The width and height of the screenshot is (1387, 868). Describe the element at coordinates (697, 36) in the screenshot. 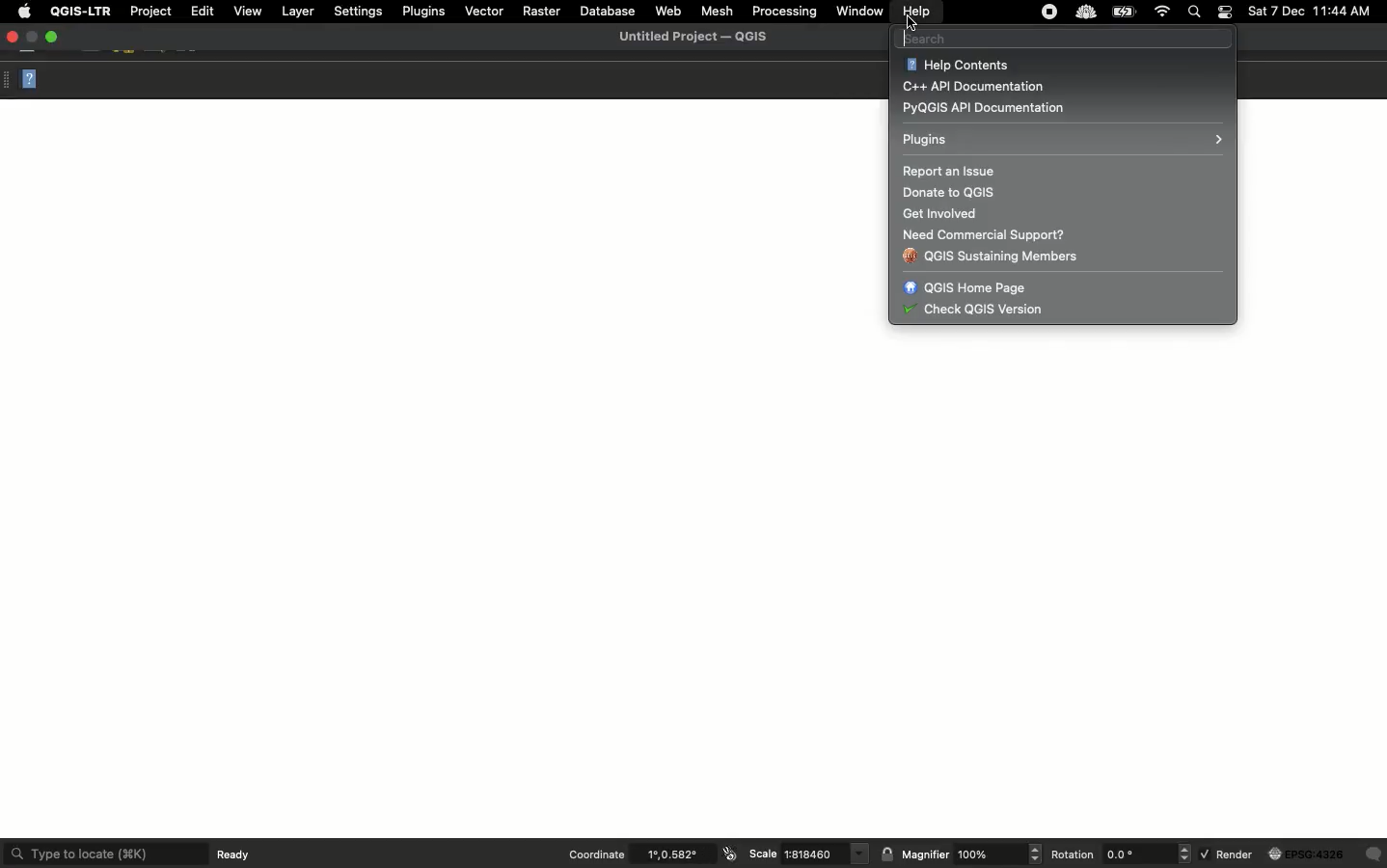

I see `QGIS` at that location.